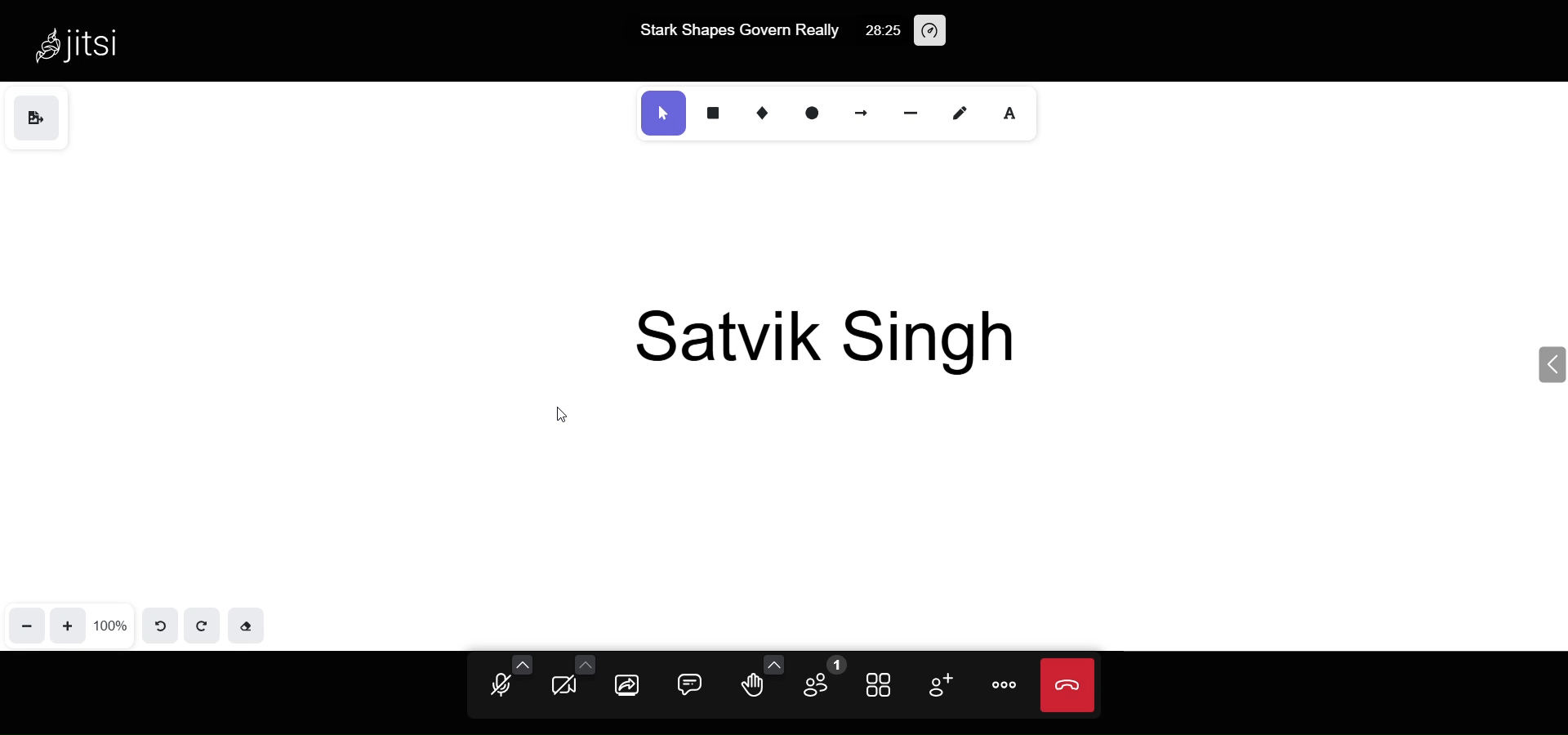 The width and height of the screenshot is (1568, 735). I want to click on arrow, so click(863, 110).